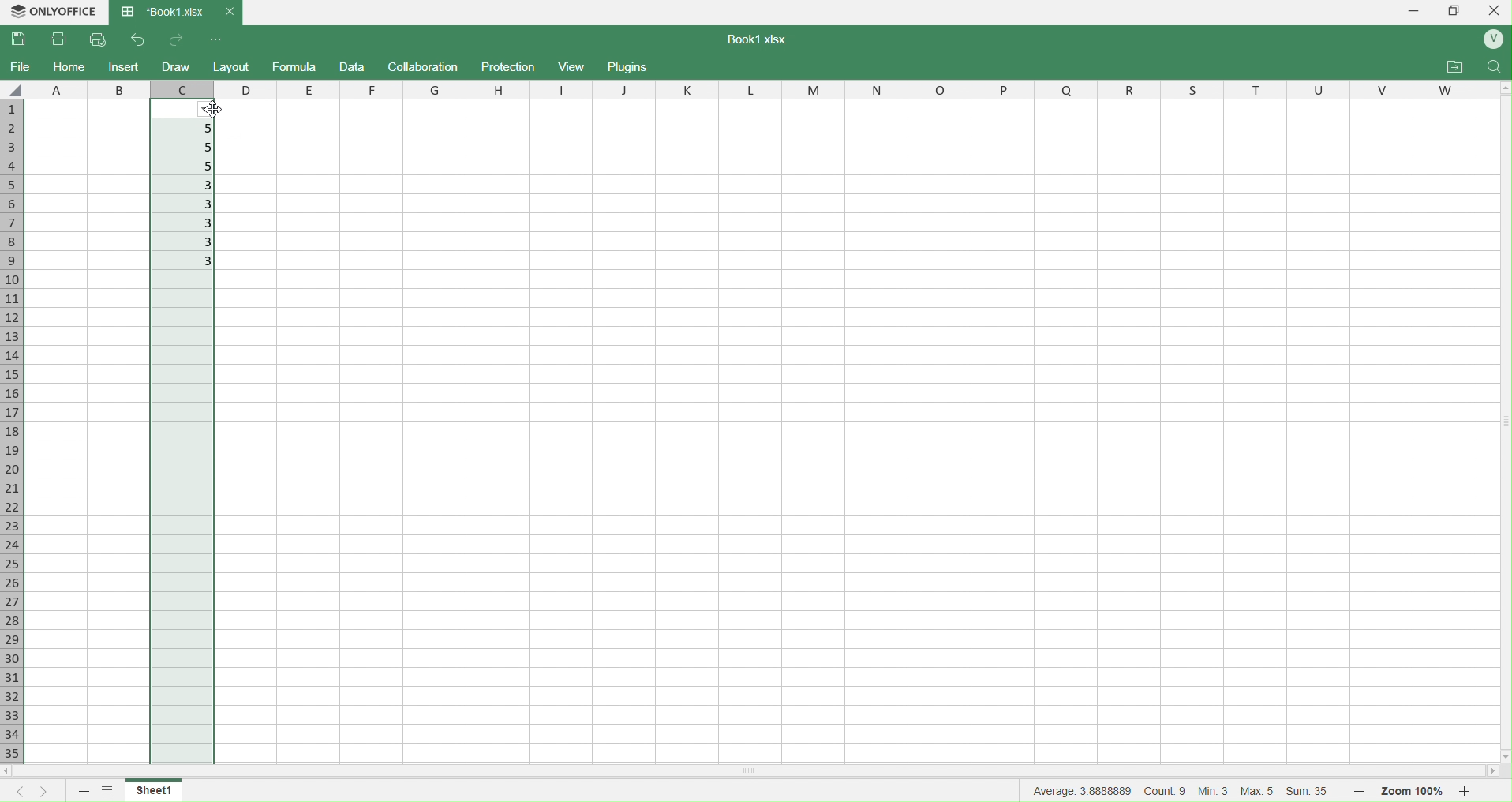 This screenshot has width=1512, height=802. What do you see at coordinates (190, 129) in the screenshot?
I see `5` at bounding box center [190, 129].